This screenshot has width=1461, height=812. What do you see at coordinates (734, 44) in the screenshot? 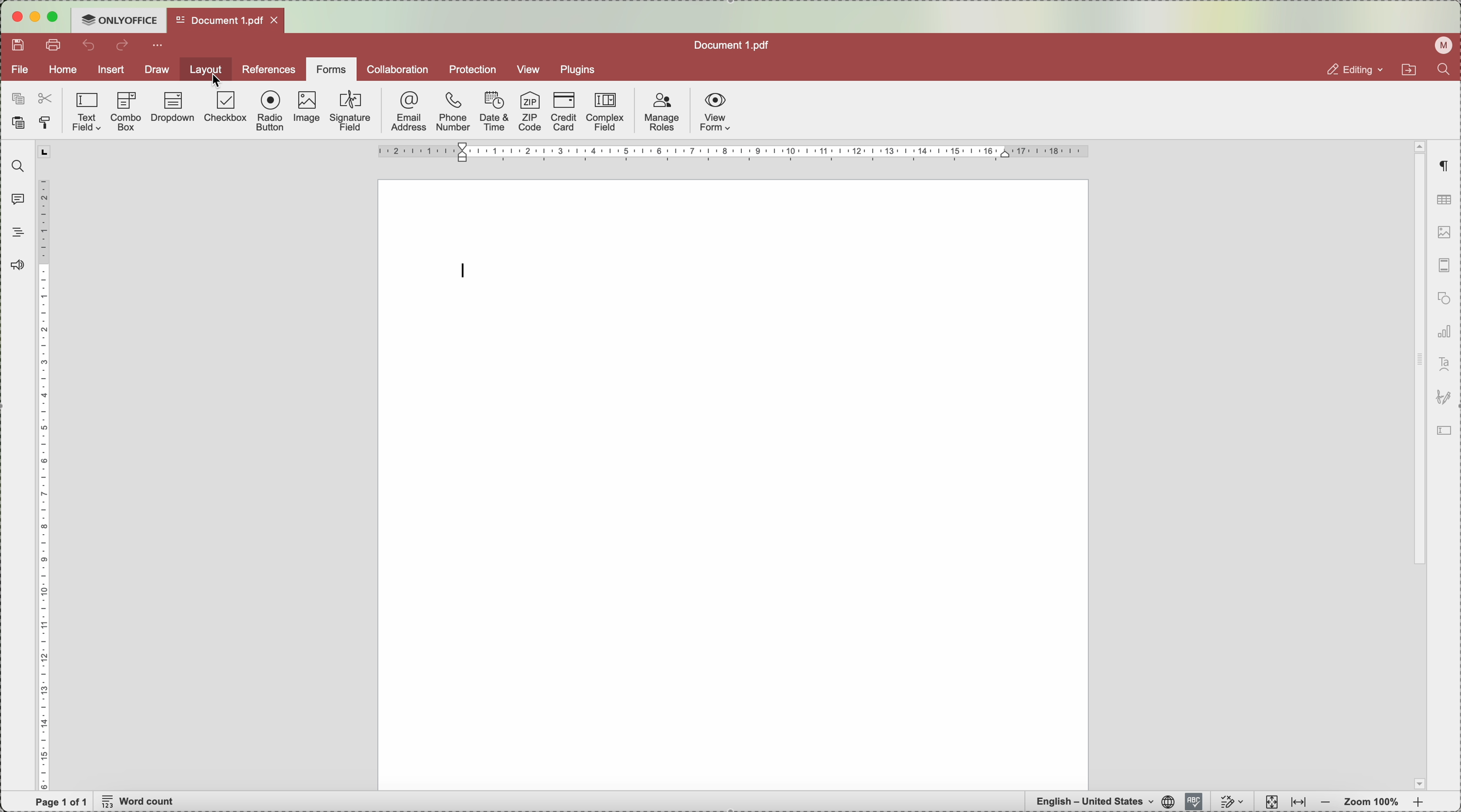
I see `file name` at bounding box center [734, 44].